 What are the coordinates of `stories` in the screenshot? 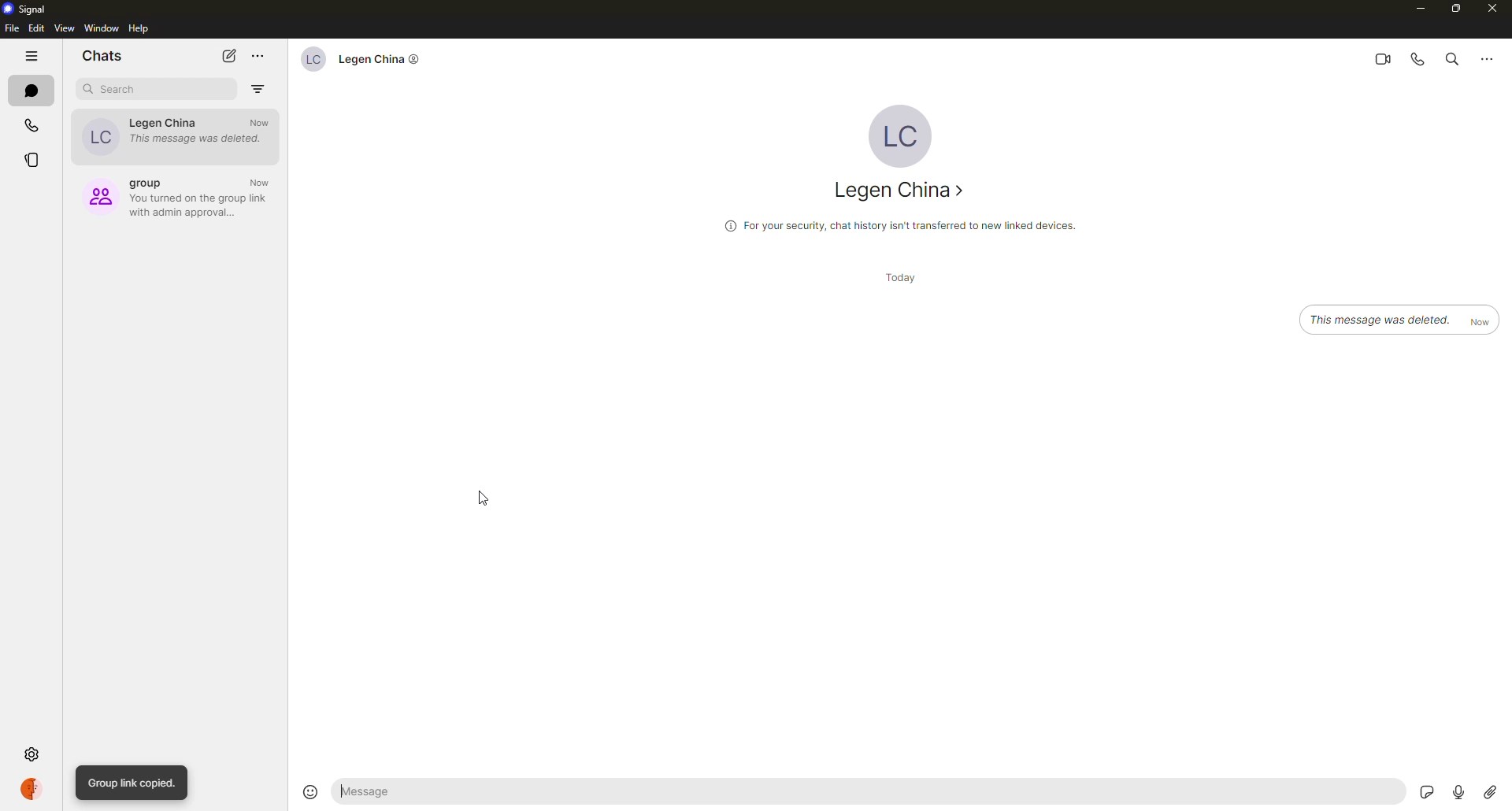 It's located at (31, 162).